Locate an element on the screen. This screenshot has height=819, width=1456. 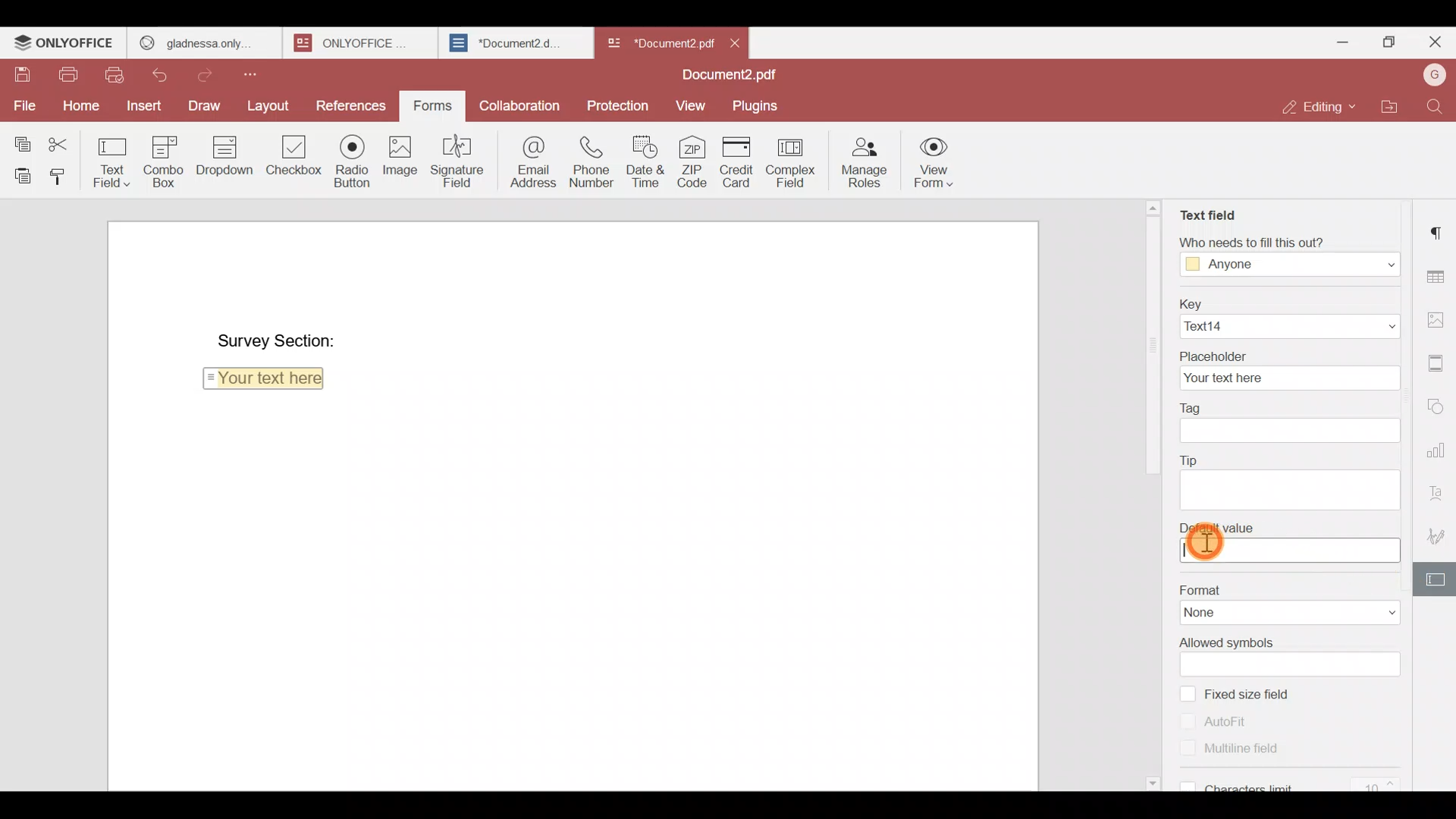
Cursor is located at coordinates (1205, 541).